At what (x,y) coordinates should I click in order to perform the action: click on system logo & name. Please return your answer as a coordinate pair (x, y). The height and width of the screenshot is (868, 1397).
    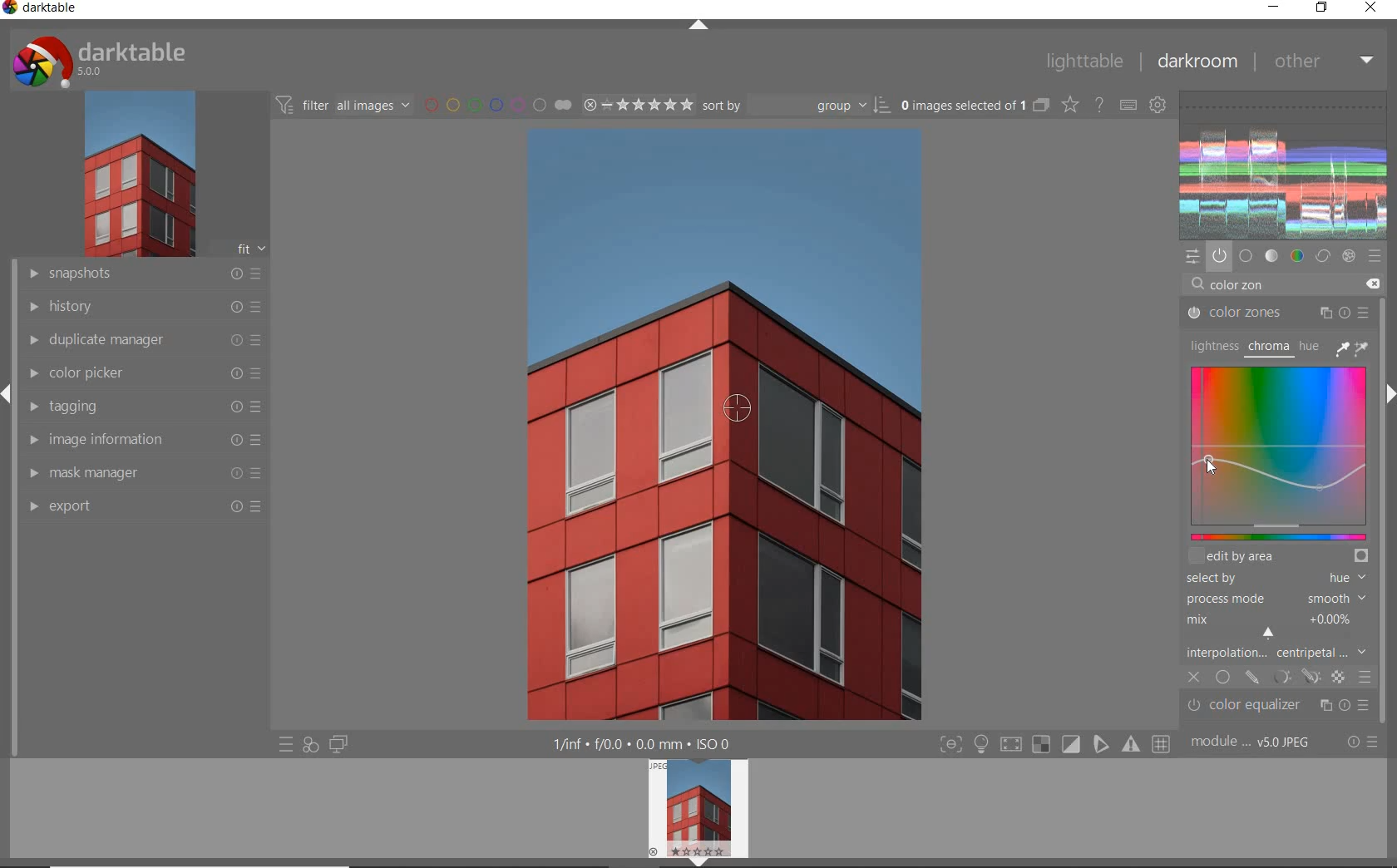
    Looking at the image, I should click on (102, 62).